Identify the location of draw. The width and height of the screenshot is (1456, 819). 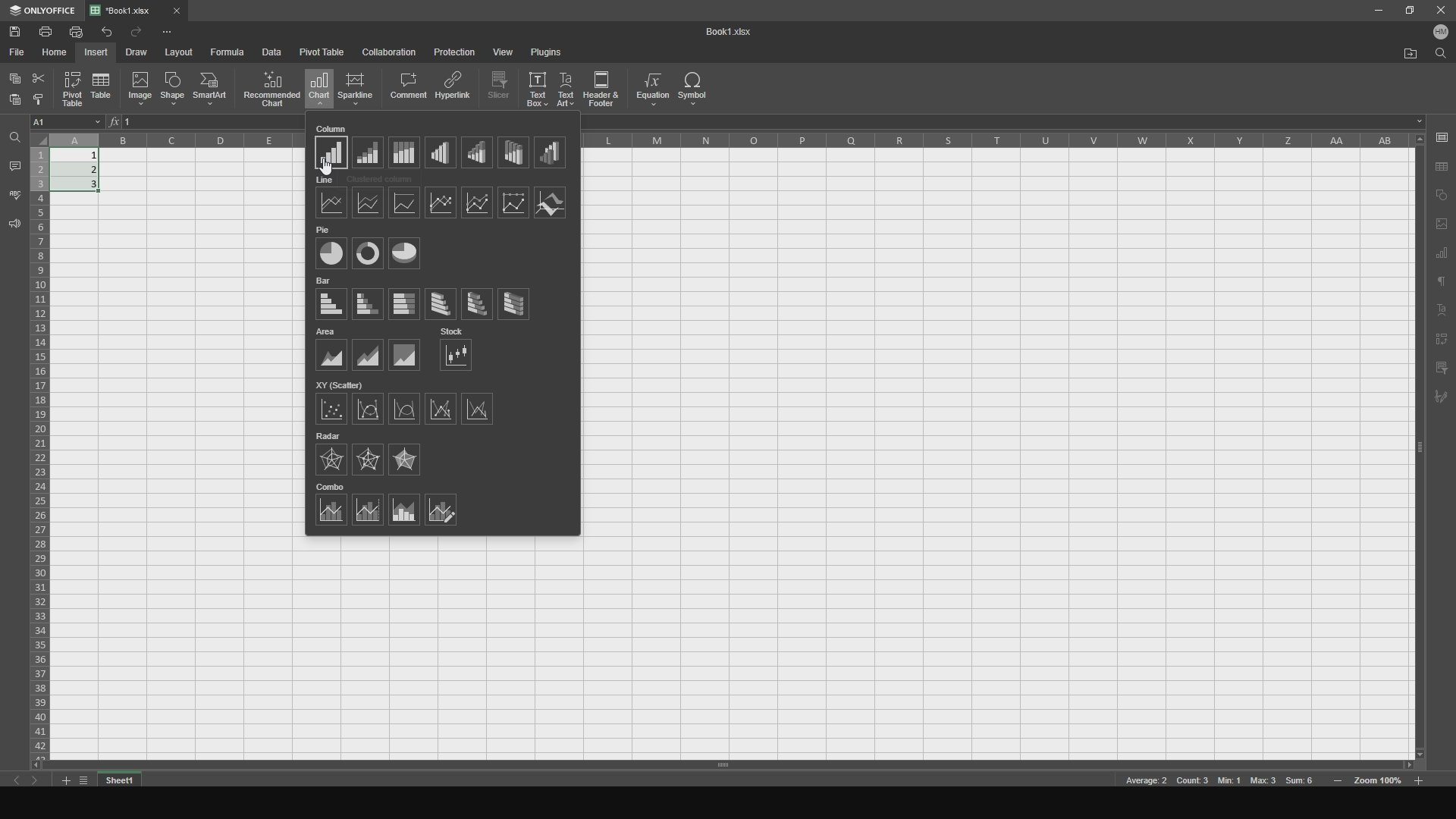
(141, 52).